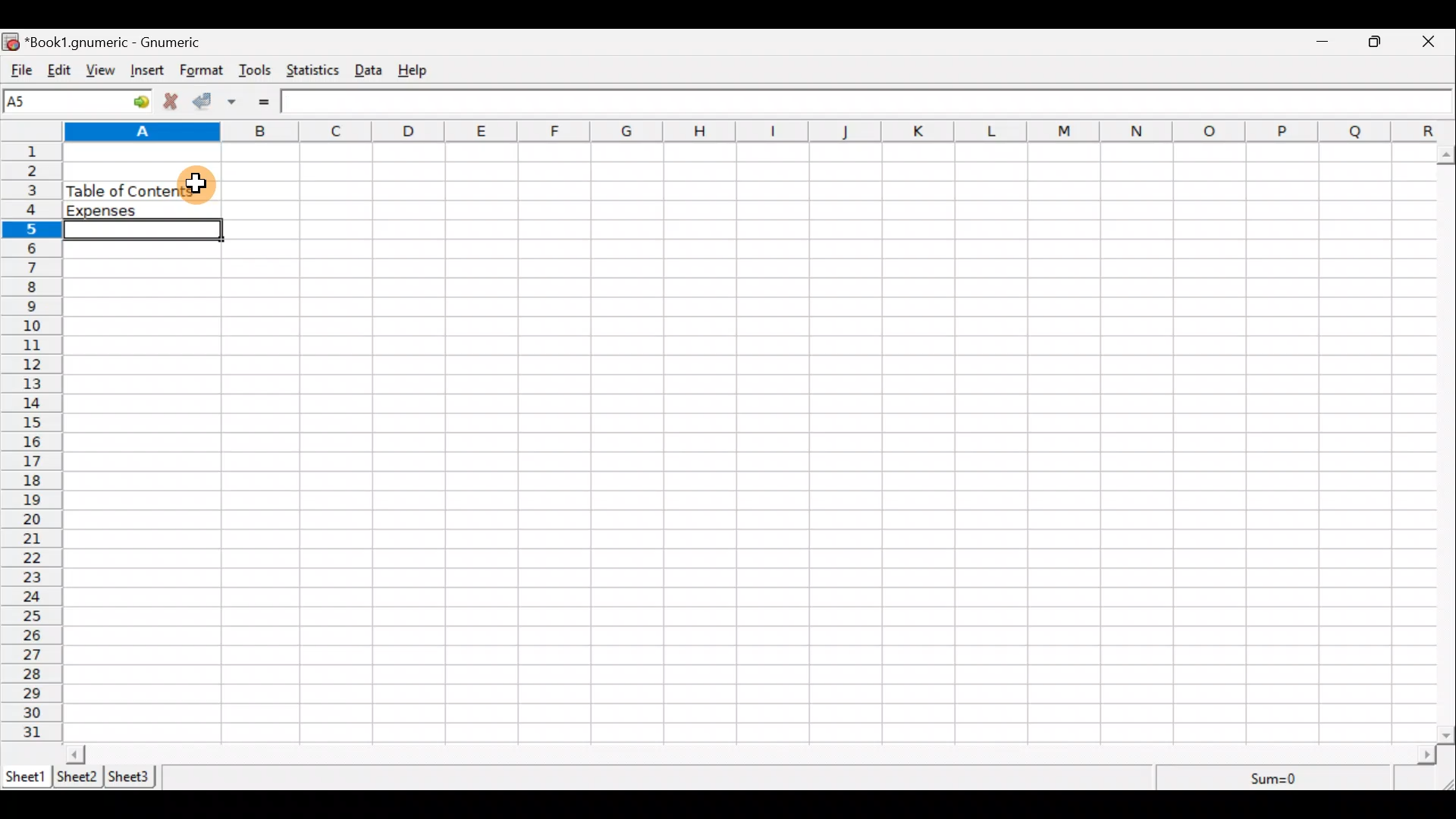  What do you see at coordinates (26, 775) in the screenshot?
I see `Sheet 1` at bounding box center [26, 775].